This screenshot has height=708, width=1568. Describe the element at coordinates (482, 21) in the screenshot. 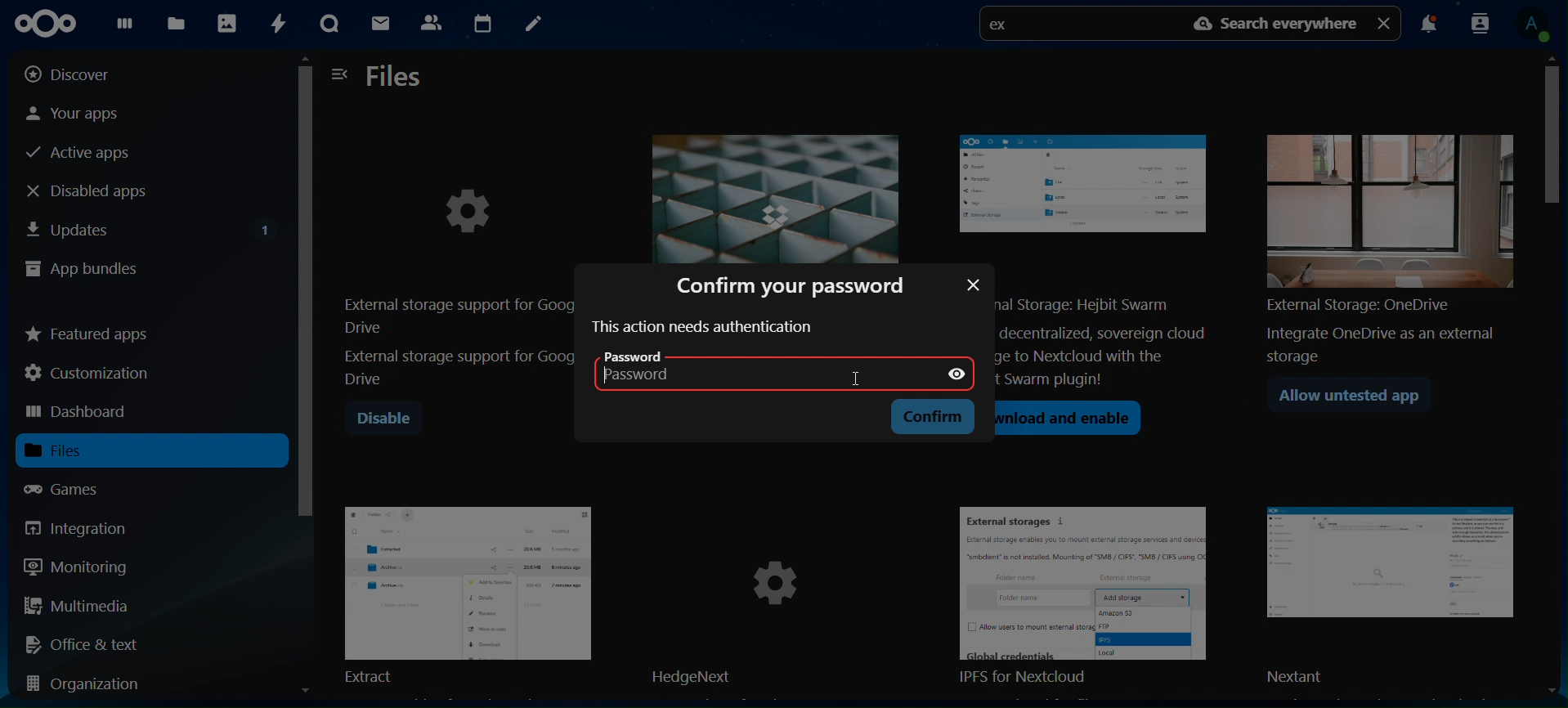

I see `calendar` at that location.